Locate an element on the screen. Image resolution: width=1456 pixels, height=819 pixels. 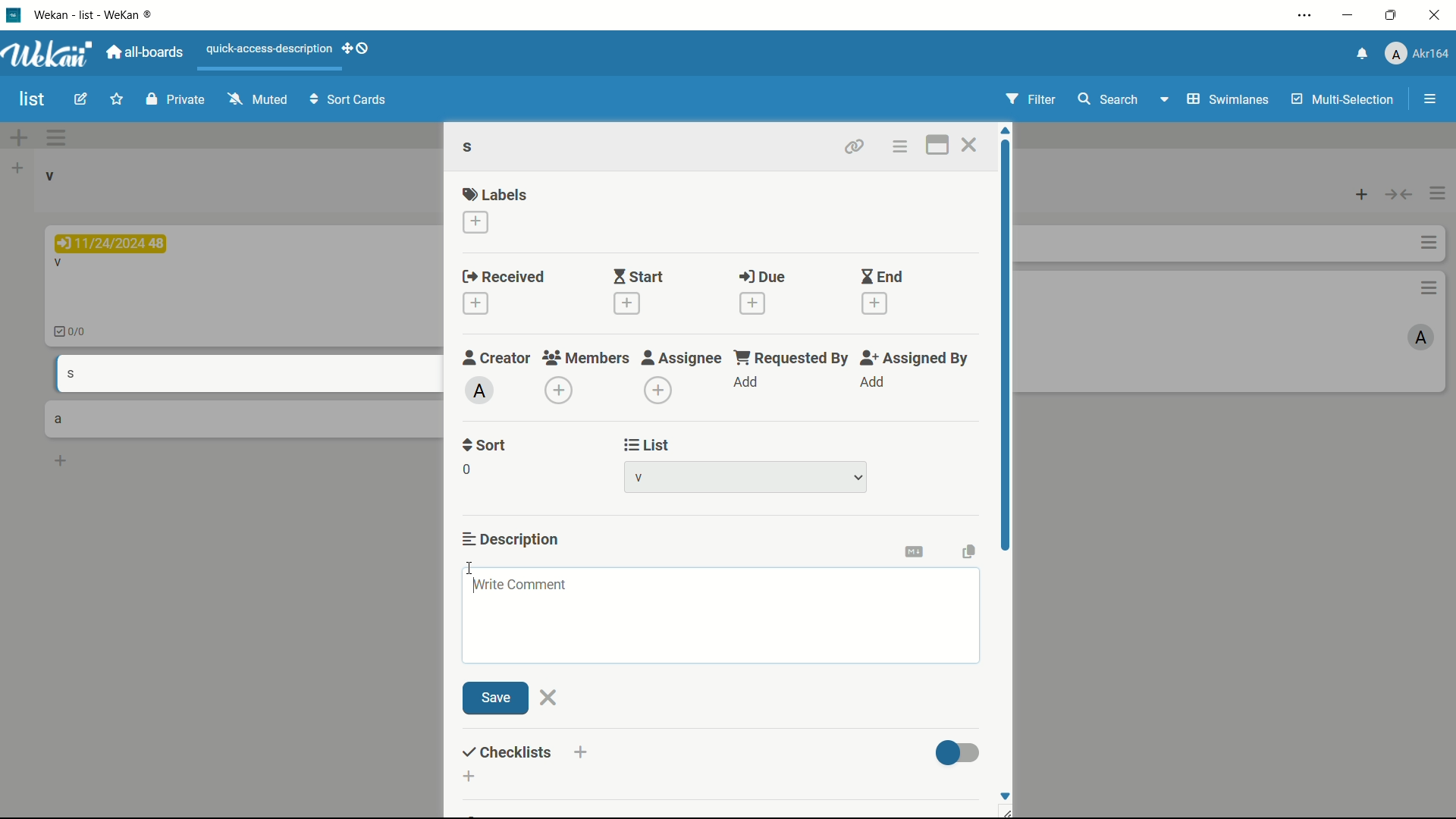
cursor is located at coordinates (469, 566).